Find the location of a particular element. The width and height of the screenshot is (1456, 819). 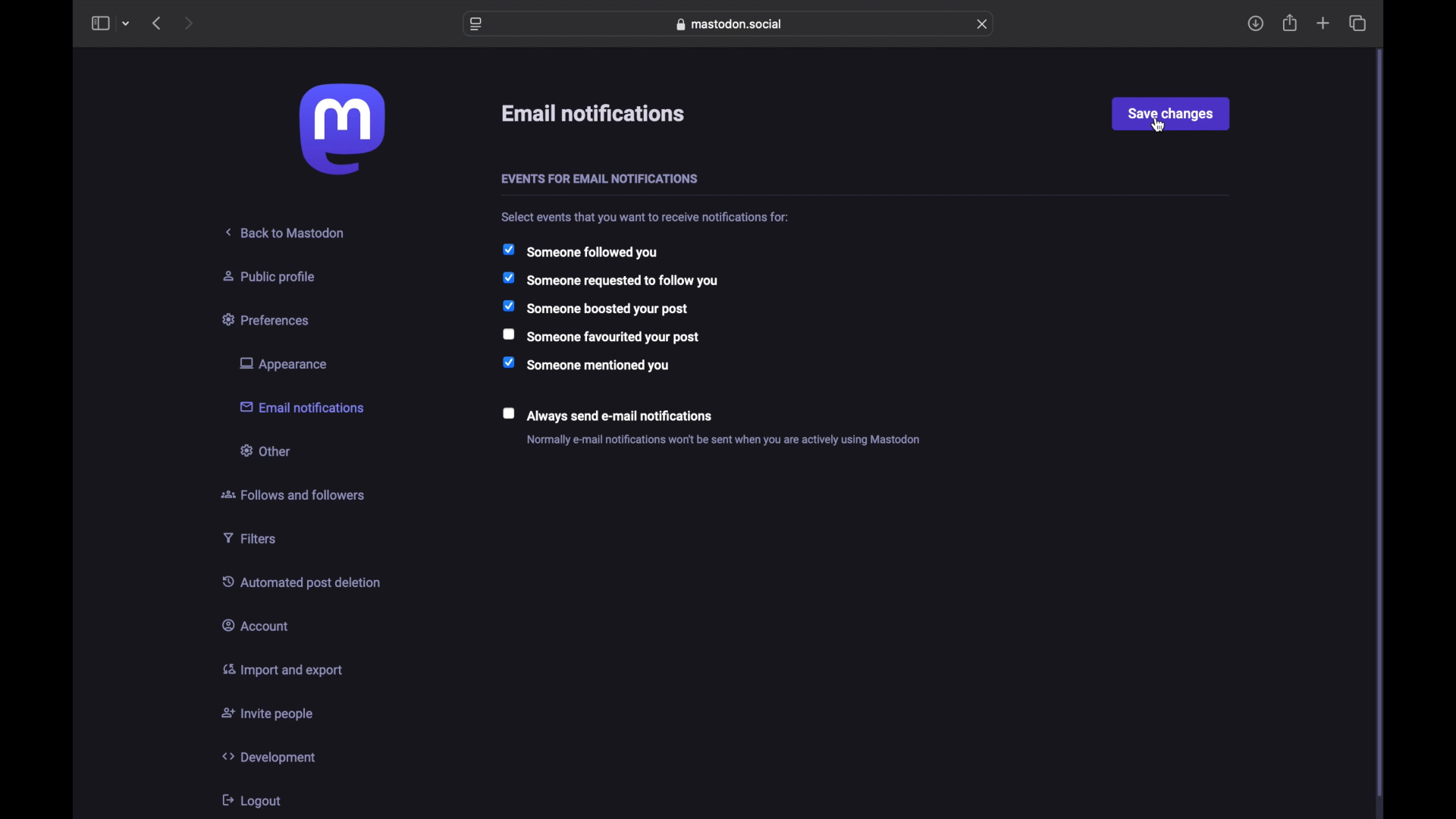

web address is located at coordinates (730, 24).